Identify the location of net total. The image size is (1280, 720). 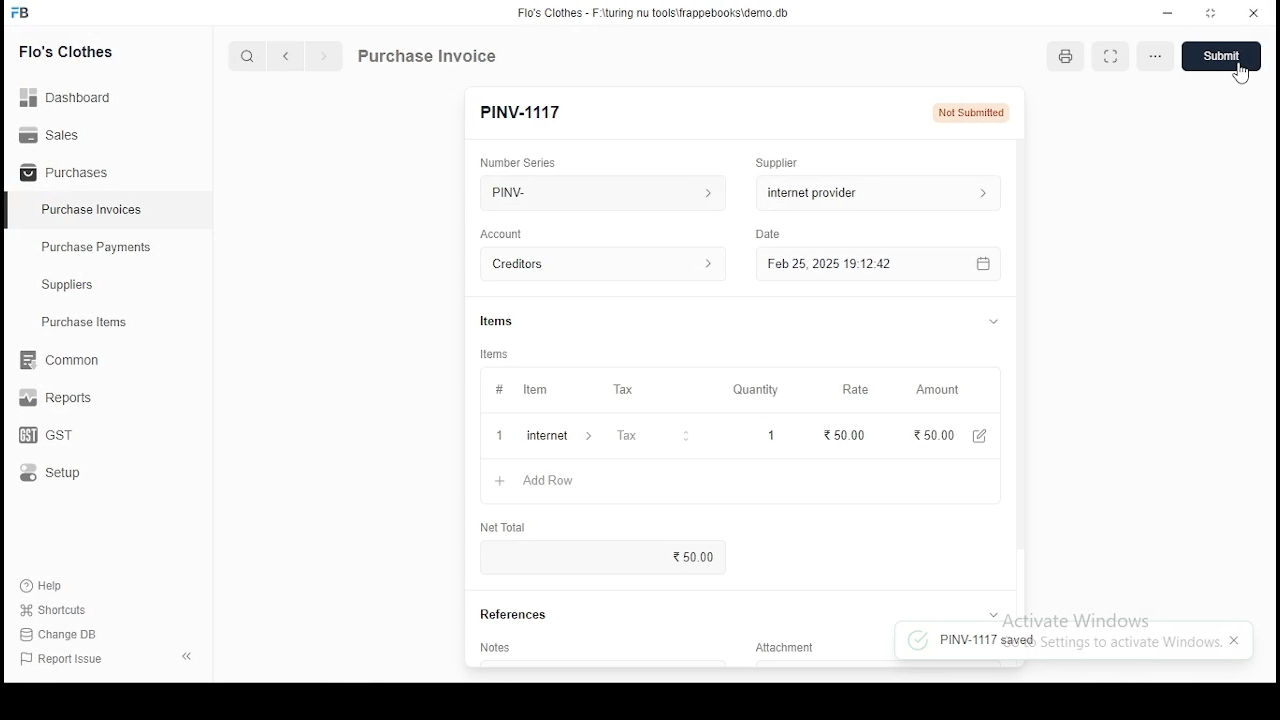
(505, 528).